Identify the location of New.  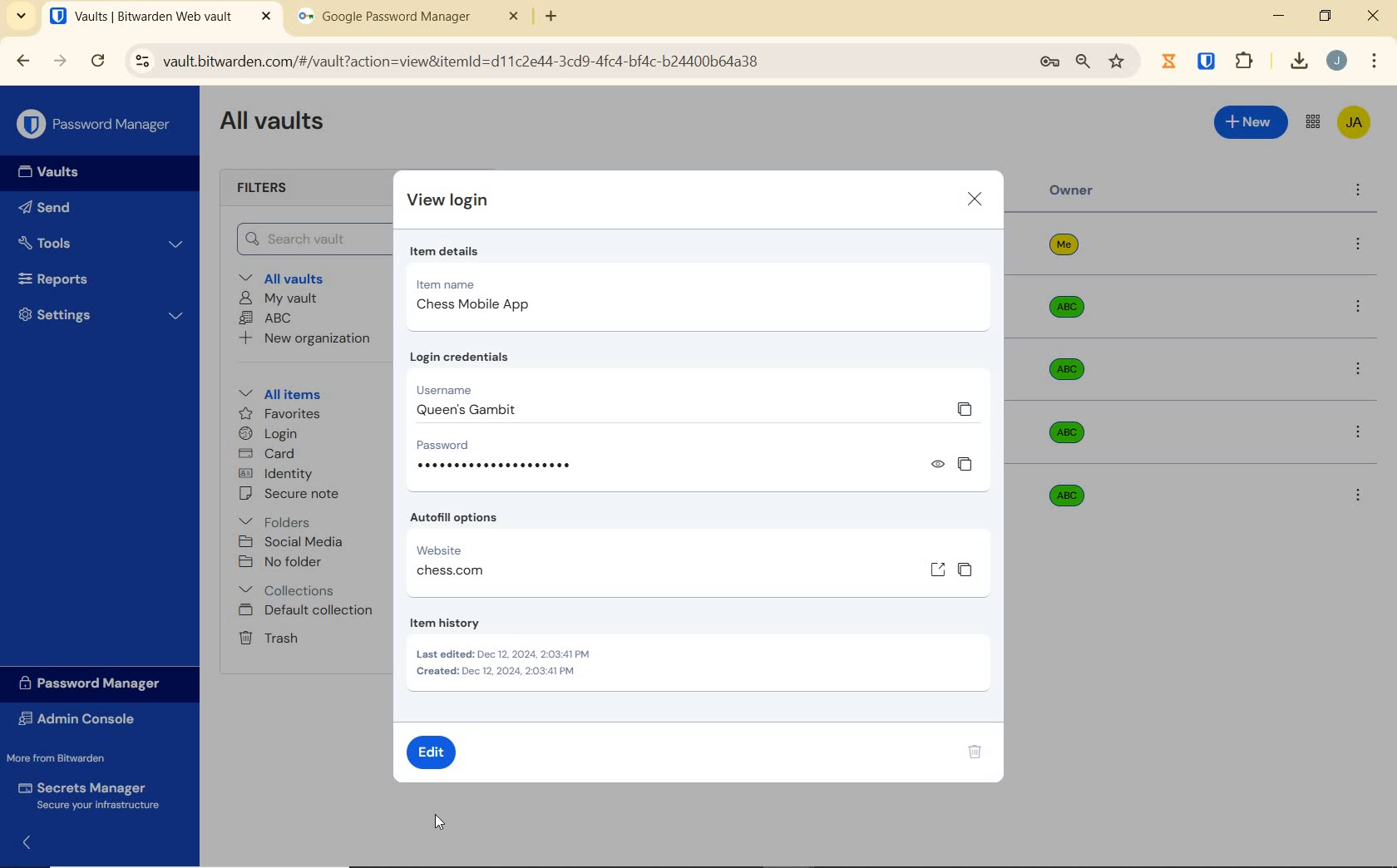
(1251, 120).